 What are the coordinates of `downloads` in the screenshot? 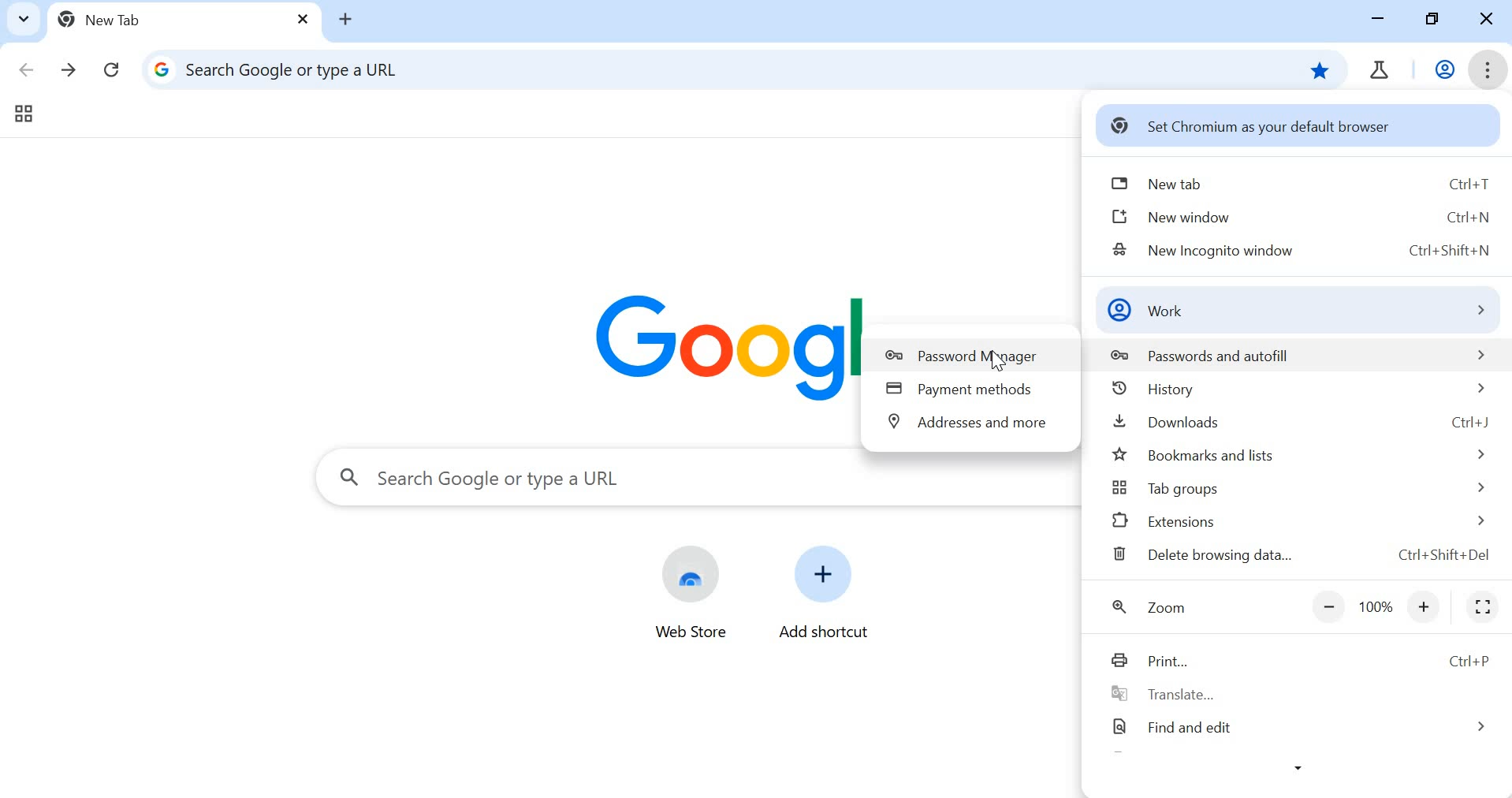 It's located at (1299, 422).